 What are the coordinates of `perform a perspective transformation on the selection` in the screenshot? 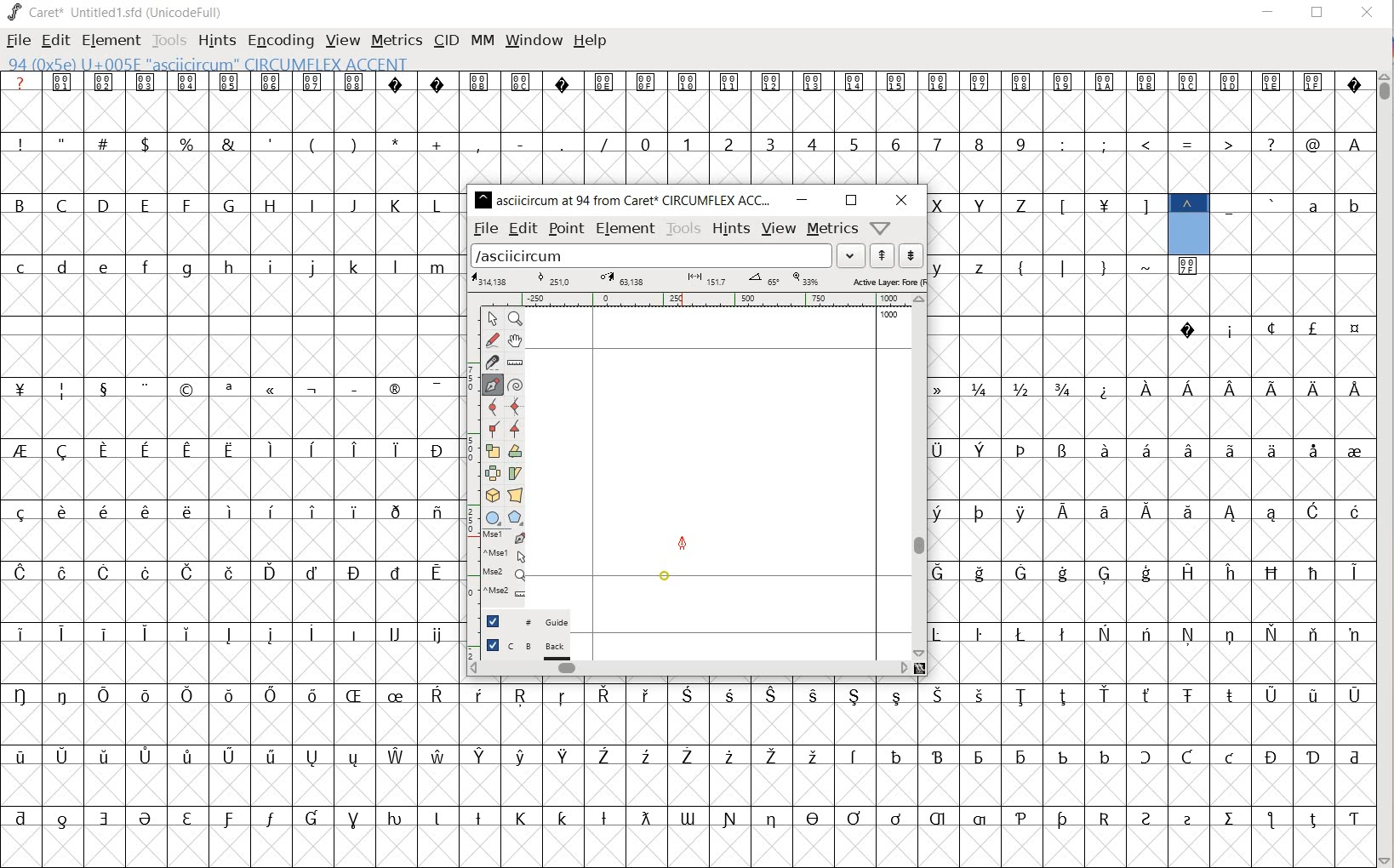 It's located at (517, 494).